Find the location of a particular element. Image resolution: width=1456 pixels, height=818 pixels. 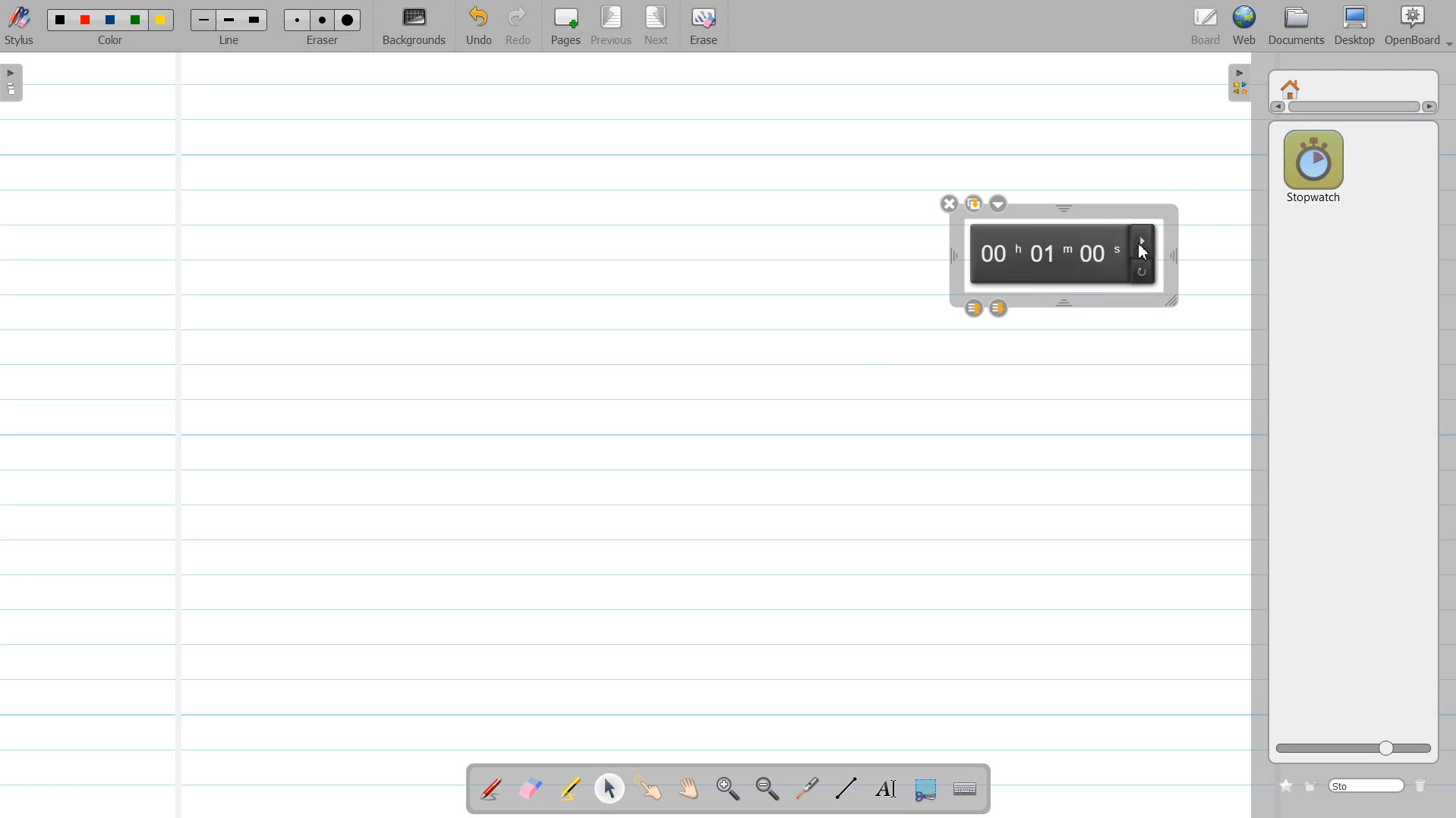

Sidebar is located at coordinates (1237, 83).